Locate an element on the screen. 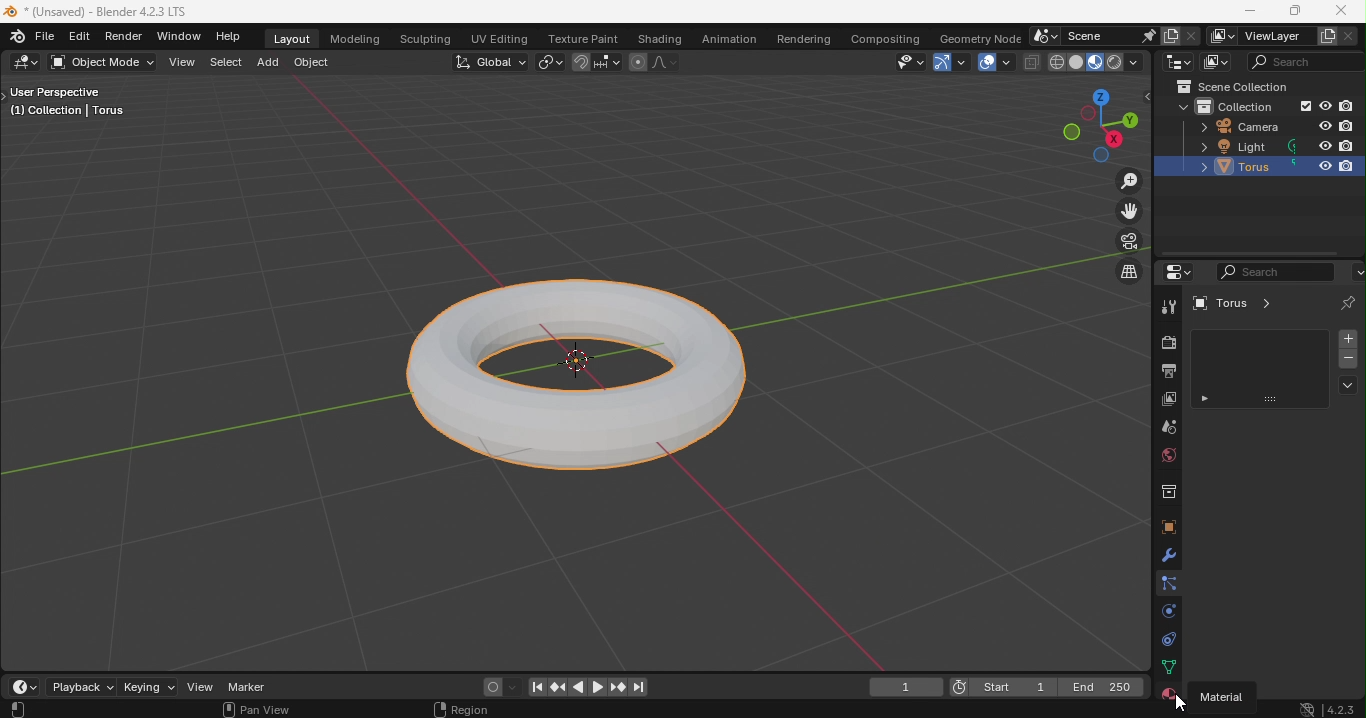 The image size is (1366, 718). Use a preset viewpoint is located at coordinates (1096, 125).